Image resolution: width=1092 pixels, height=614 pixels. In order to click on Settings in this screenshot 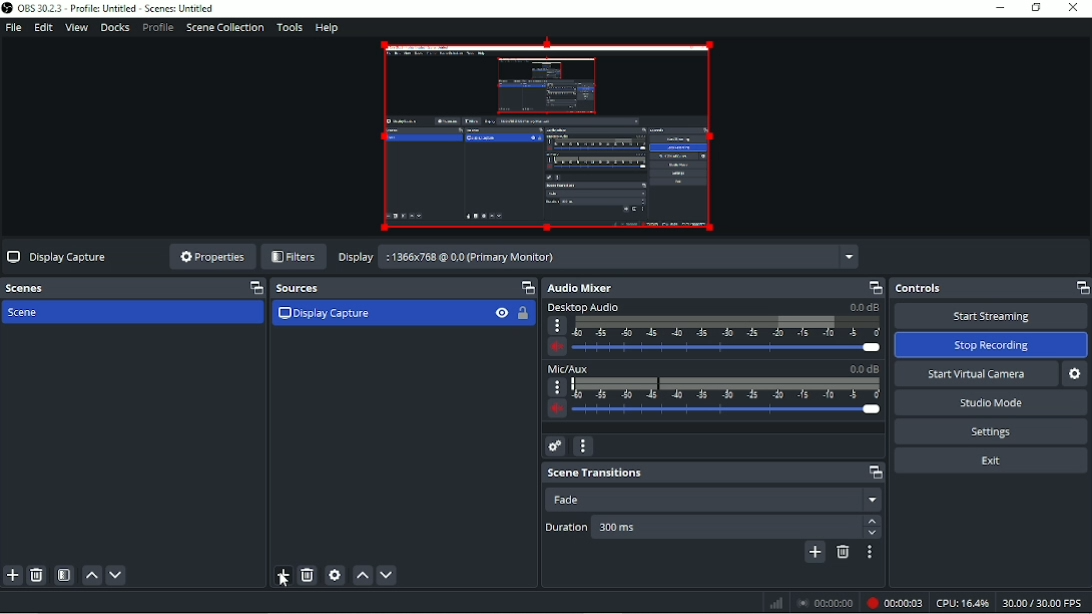, I will do `click(988, 431)`.